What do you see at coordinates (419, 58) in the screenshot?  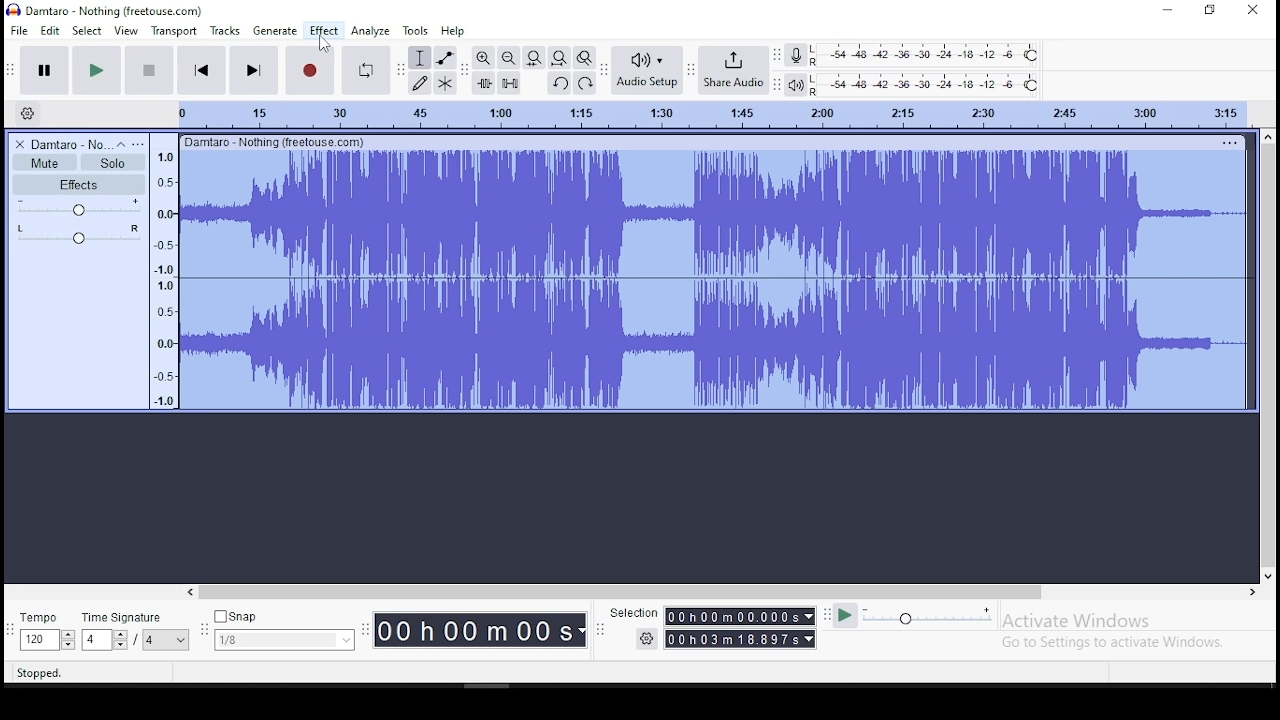 I see `selection tool` at bounding box center [419, 58].